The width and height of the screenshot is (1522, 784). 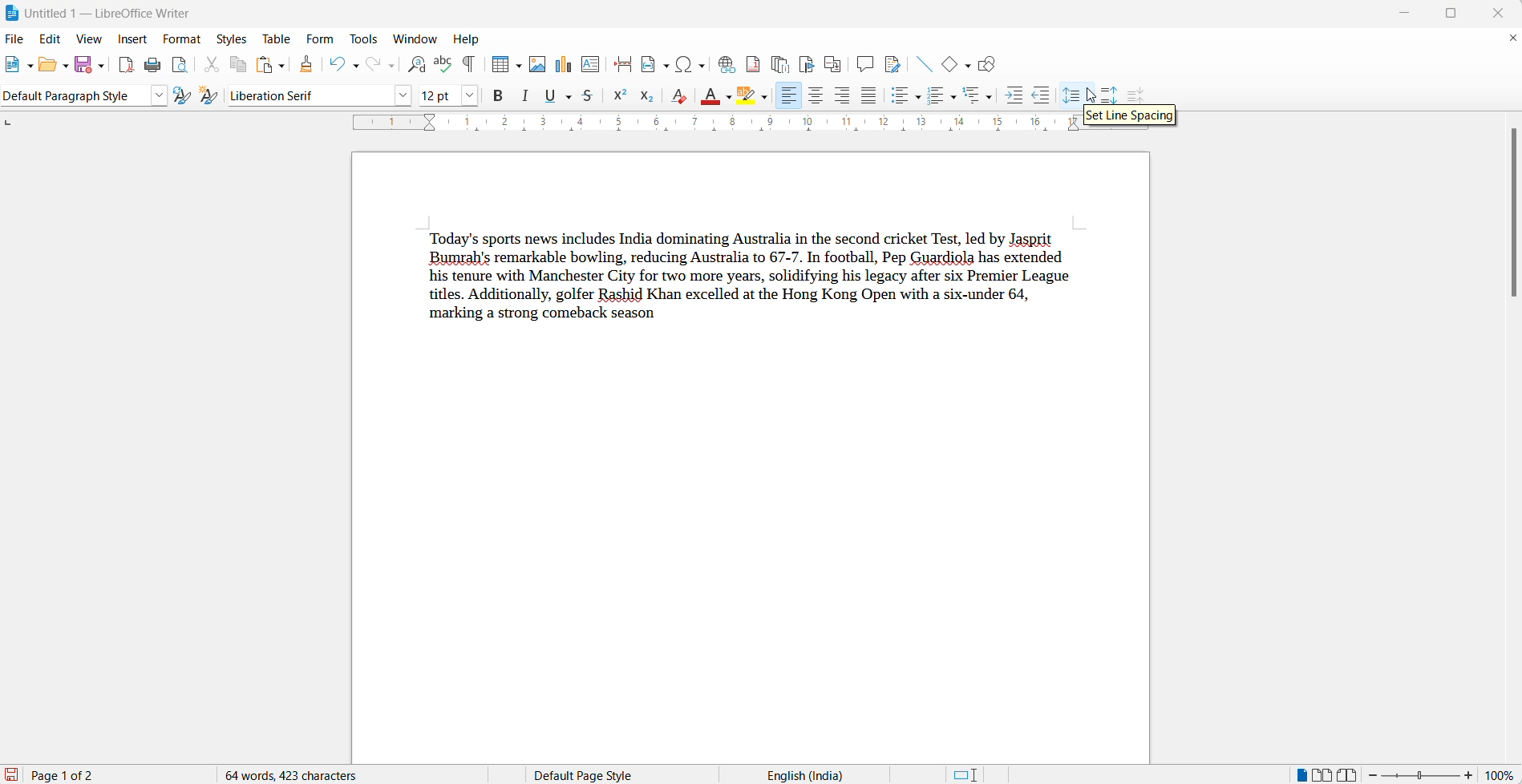 What do you see at coordinates (370, 66) in the screenshot?
I see `redo` at bounding box center [370, 66].